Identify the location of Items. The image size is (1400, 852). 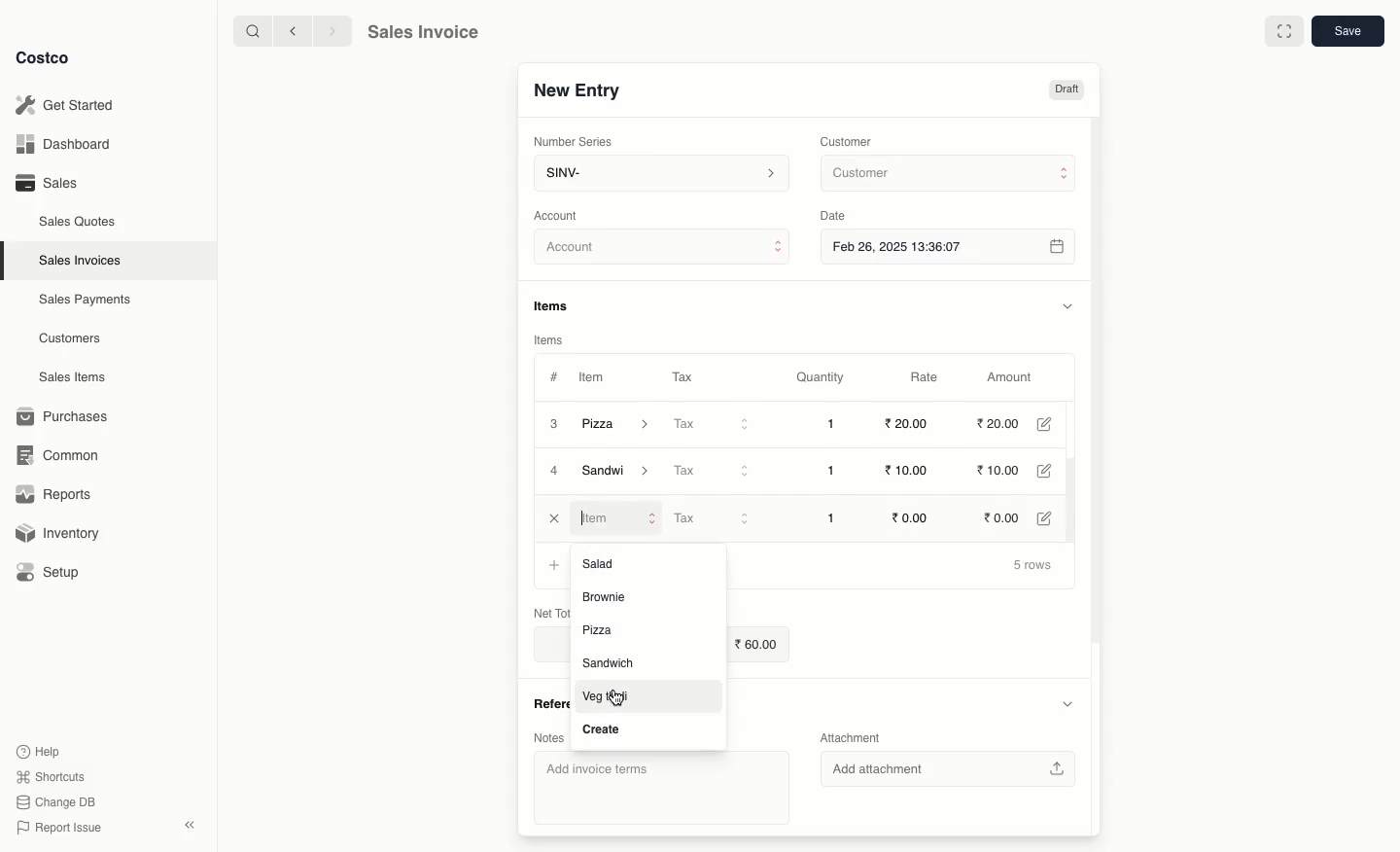
(549, 339).